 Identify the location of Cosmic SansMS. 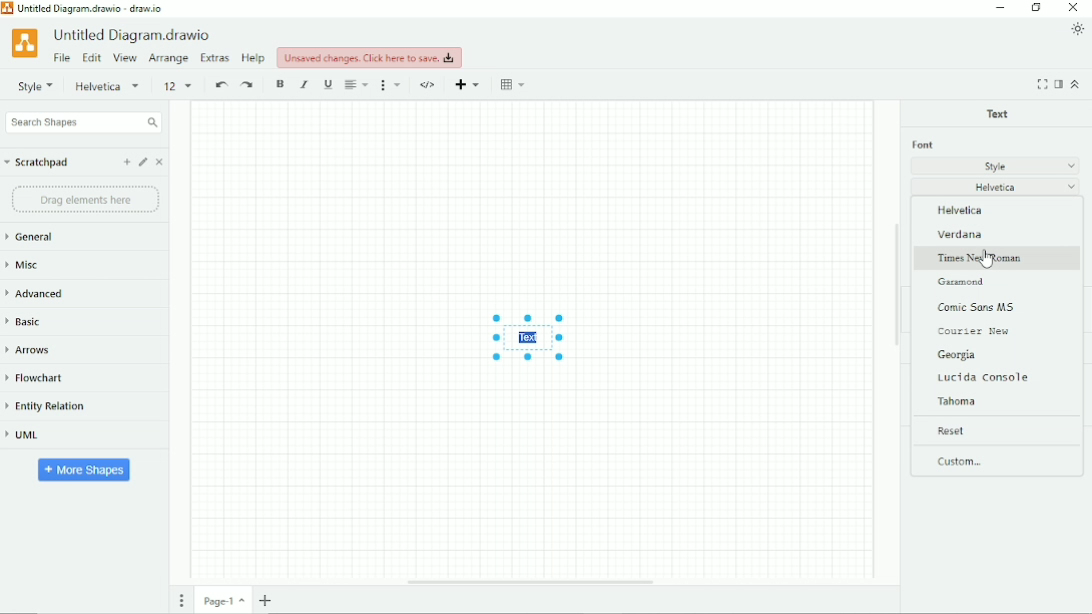
(981, 307).